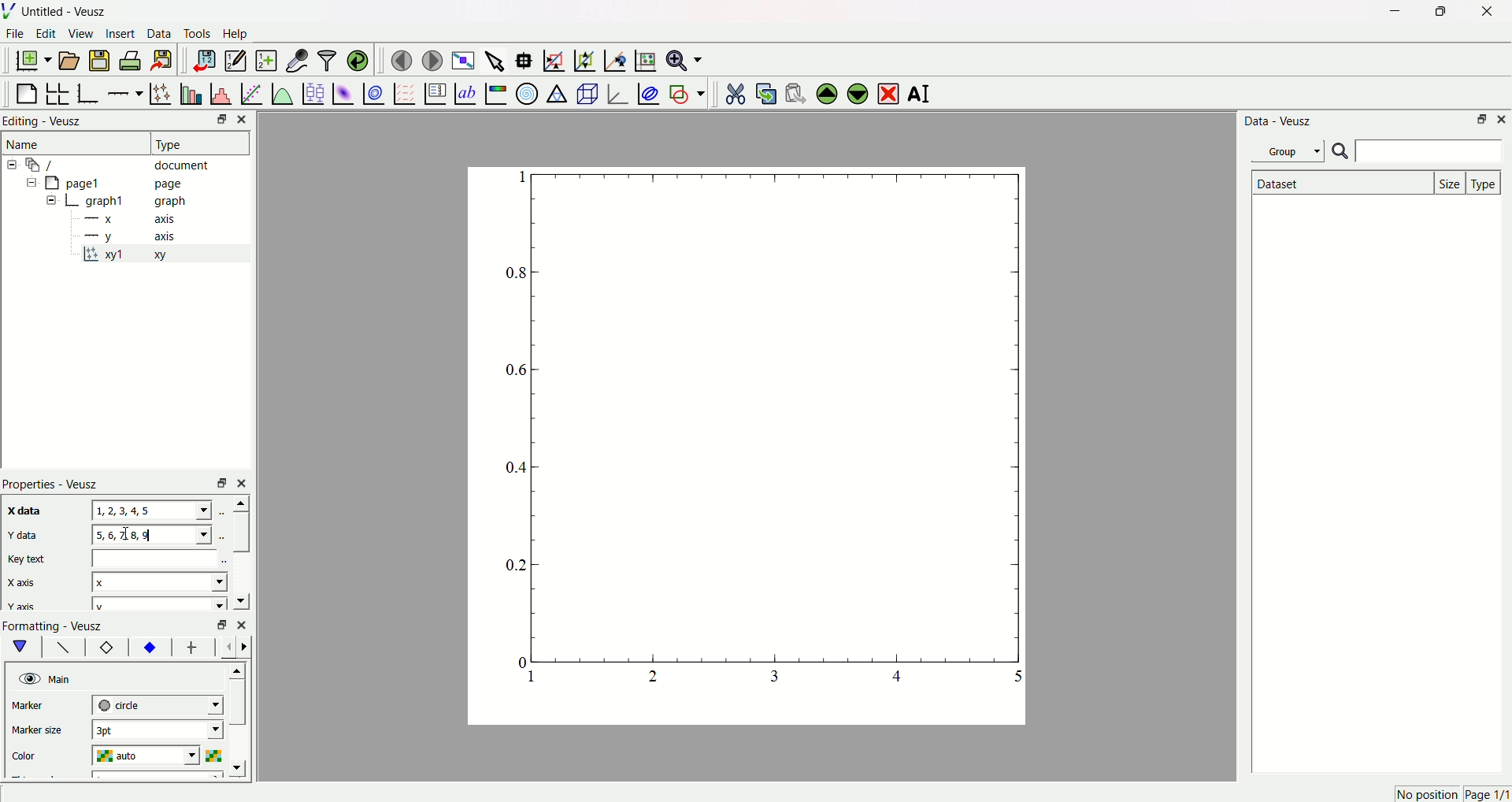  Describe the element at coordinates (1340, 183) in the screenshot. I see `Dataset` at that location.